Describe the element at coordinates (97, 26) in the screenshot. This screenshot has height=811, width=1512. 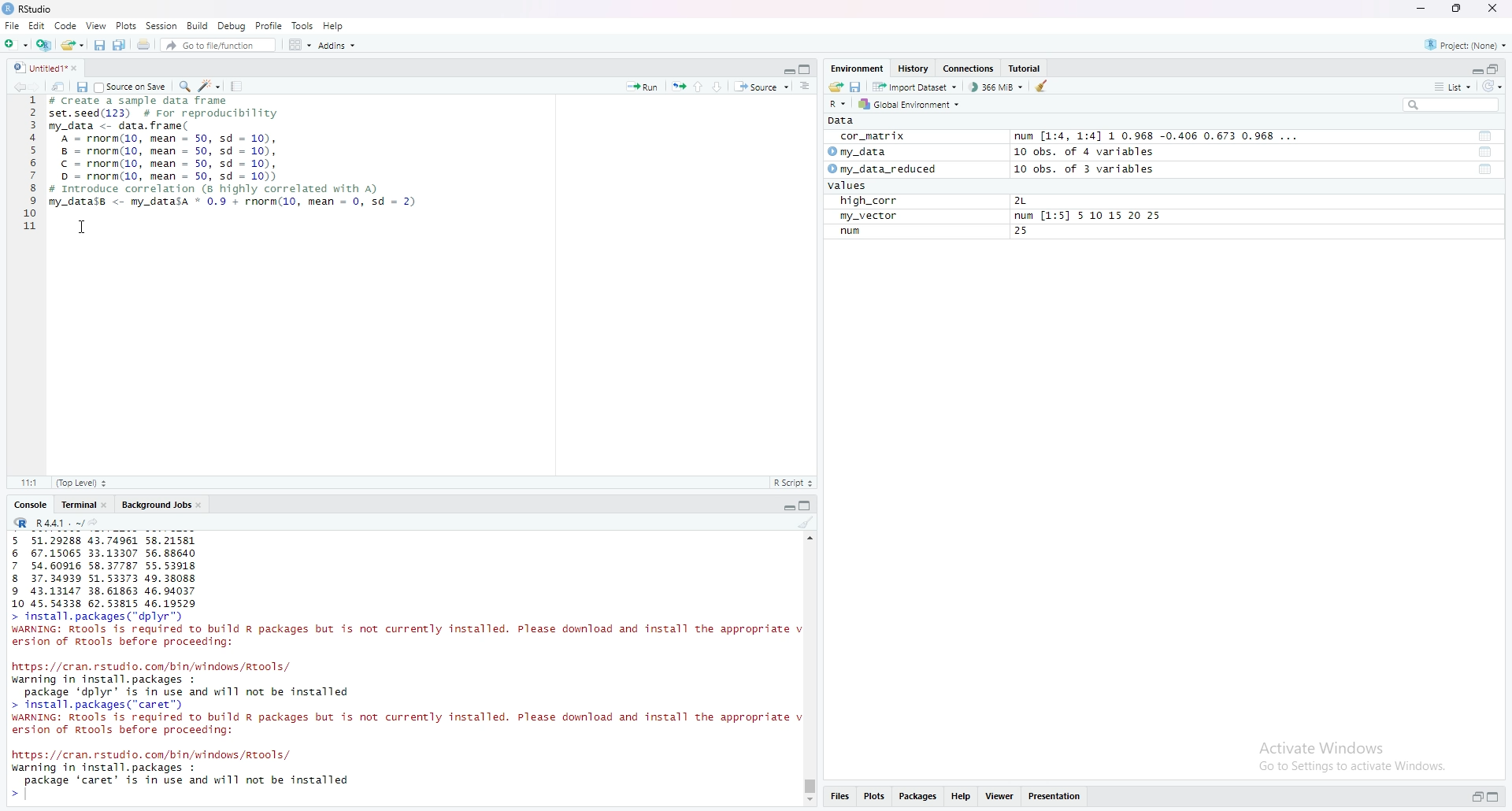
I see `View` at that location.